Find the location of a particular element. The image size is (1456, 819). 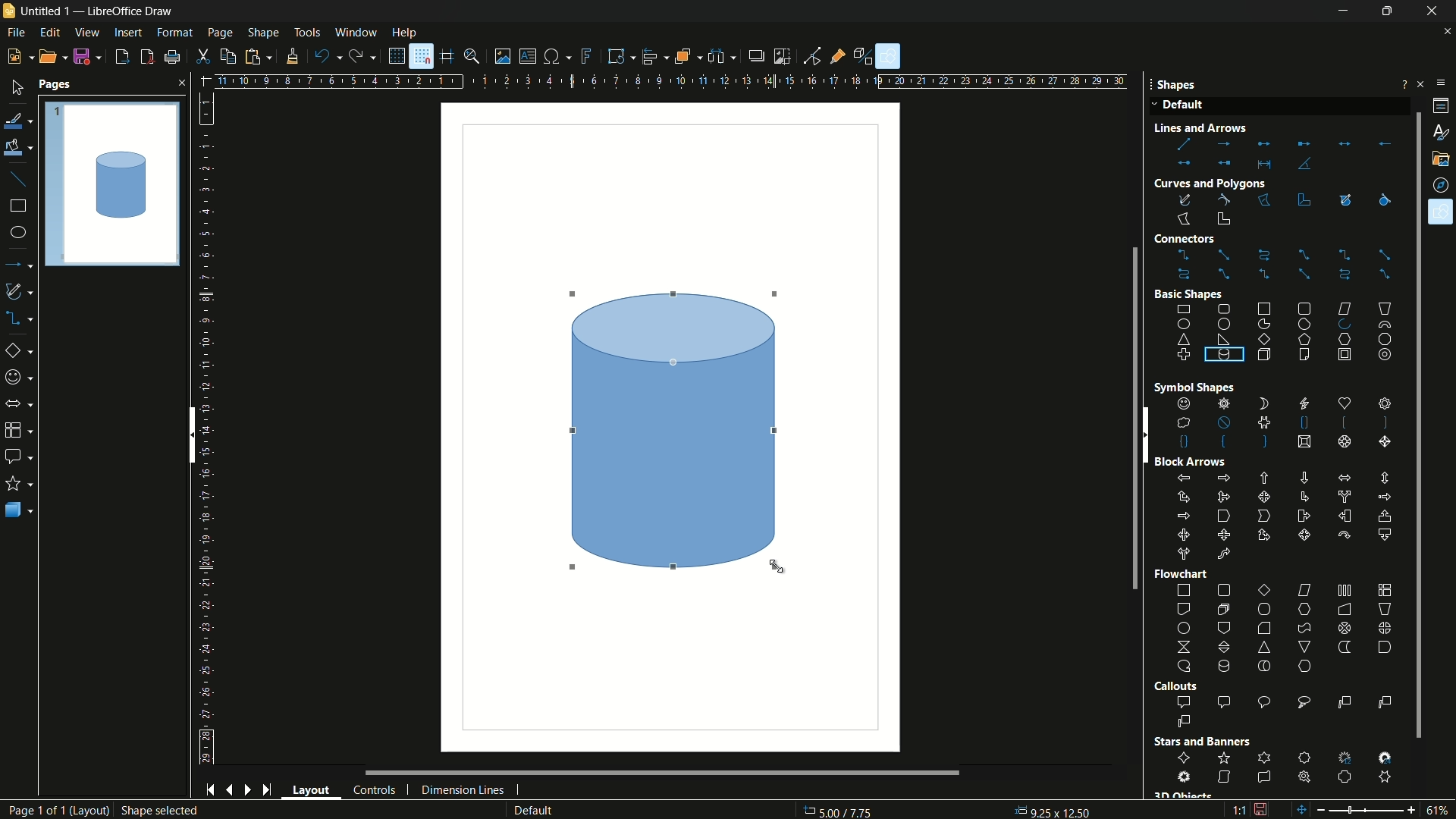

close document is located at coordinates (1447, 33).